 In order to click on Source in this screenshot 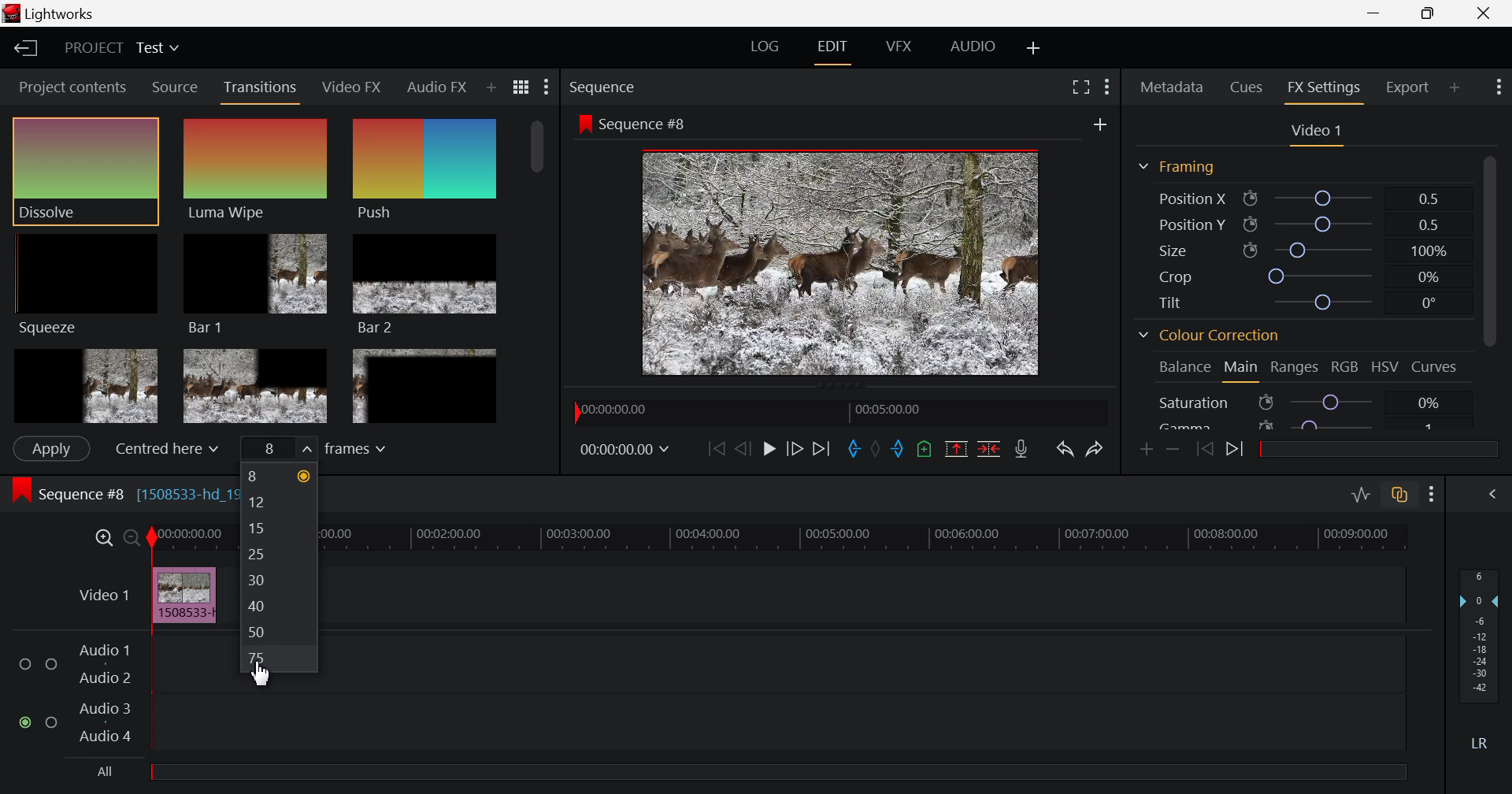, I will do `click(172, 87)`.